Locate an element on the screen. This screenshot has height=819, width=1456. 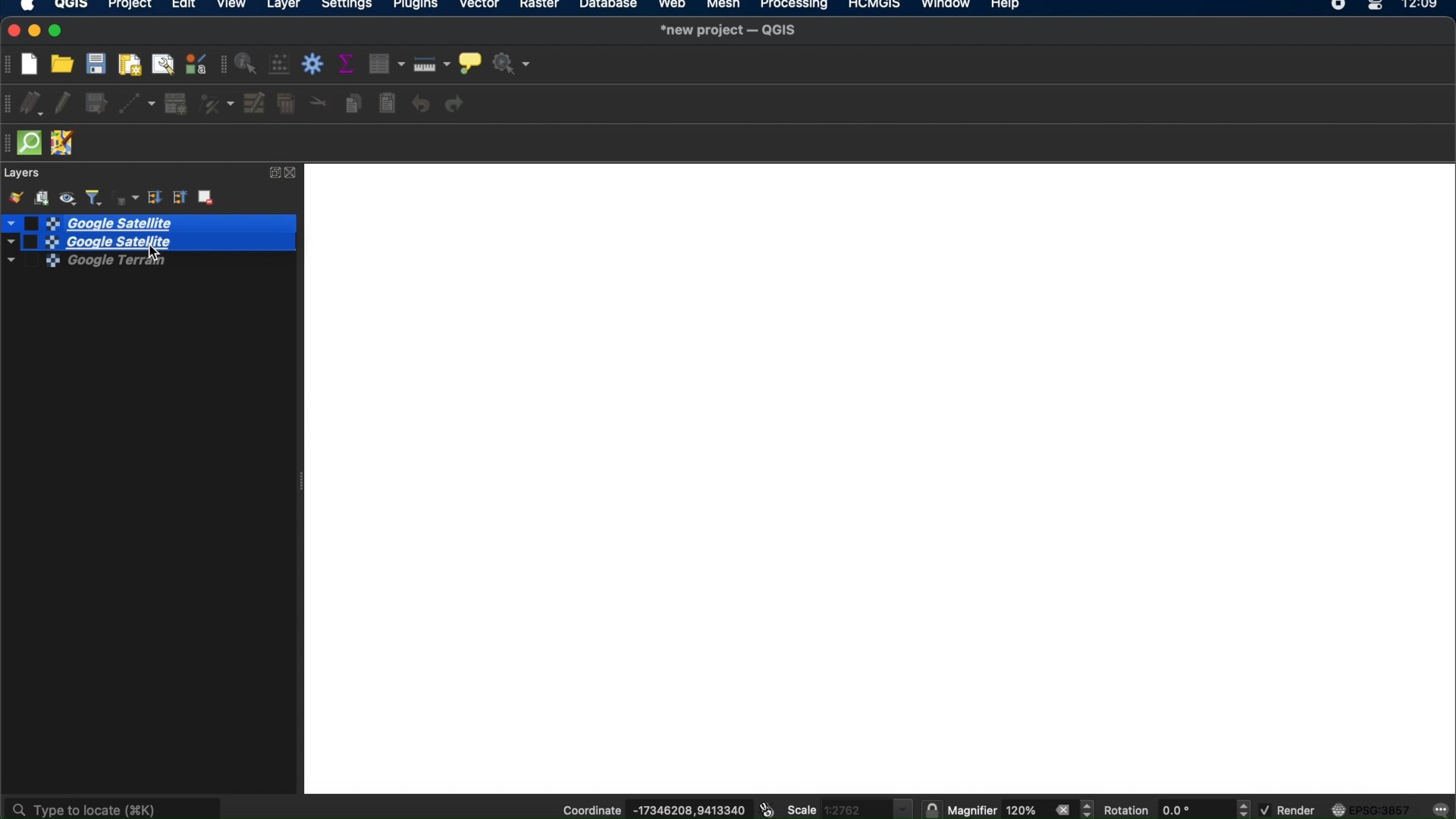
google terrain is located at coordinates (91, 262).